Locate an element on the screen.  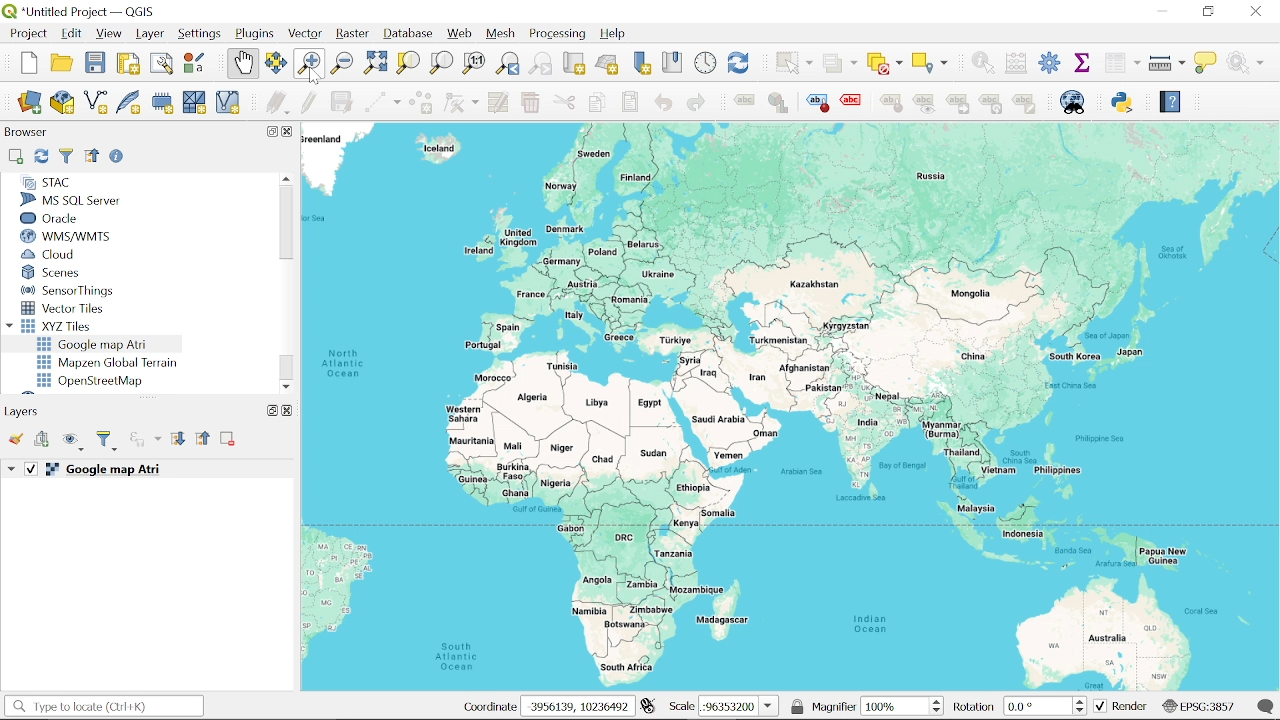
Zoom out is located at coordinates (342, 64).